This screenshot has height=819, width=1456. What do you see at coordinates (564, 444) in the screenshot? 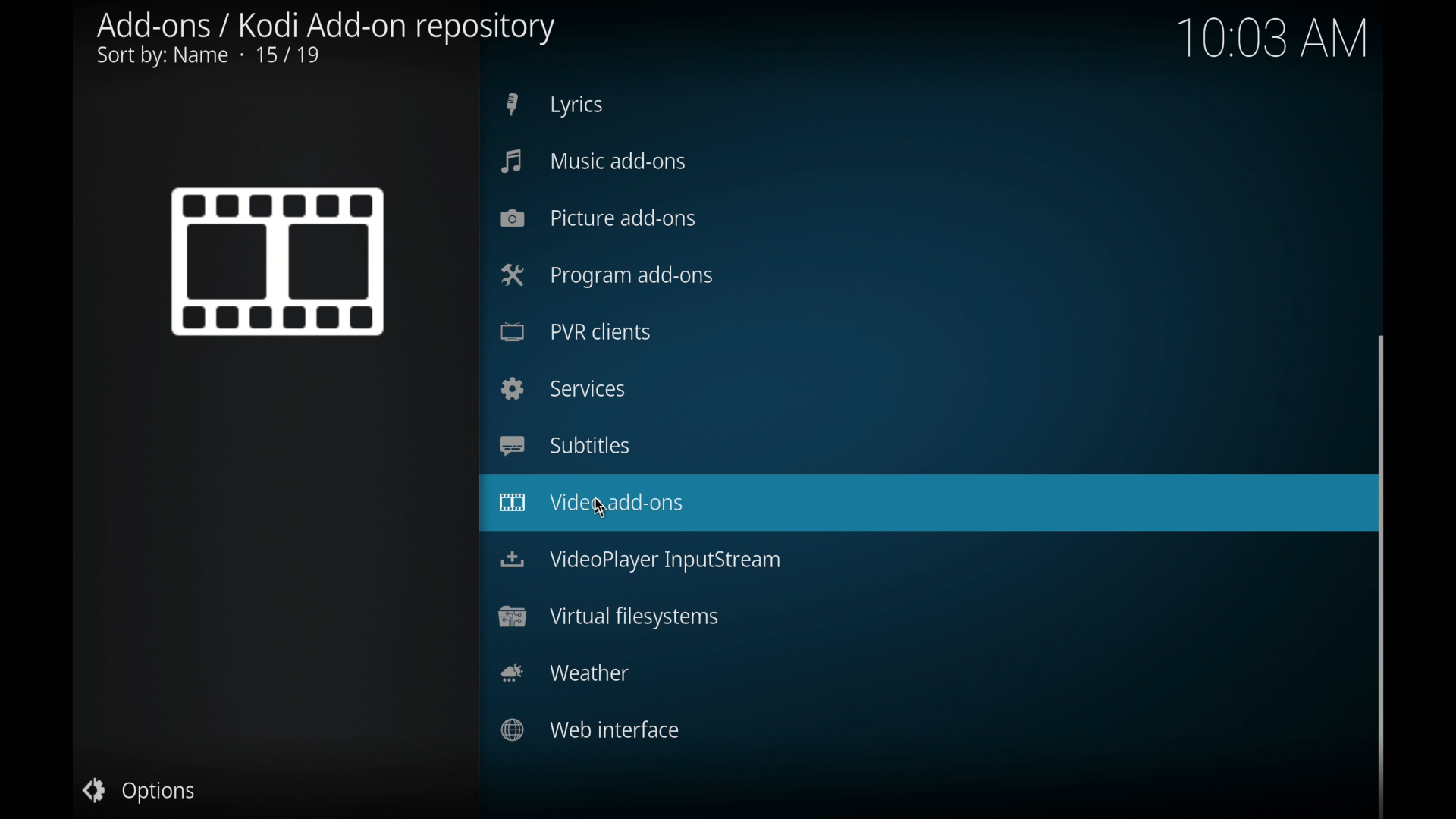
I see `subtitles` at bounding box center [564, 444].